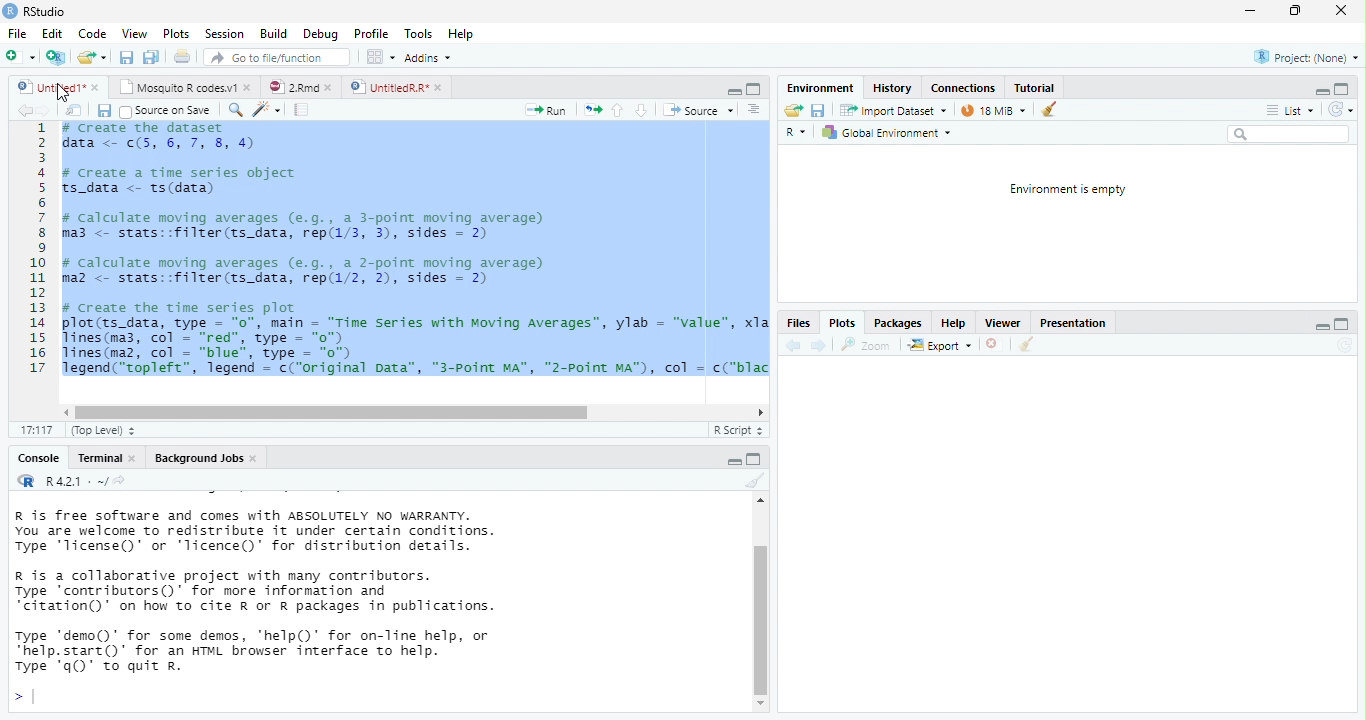  What do you see at coordinates (46, 86) in the screenshot?
I see `untitled 1` at bounding box center [46, 86].